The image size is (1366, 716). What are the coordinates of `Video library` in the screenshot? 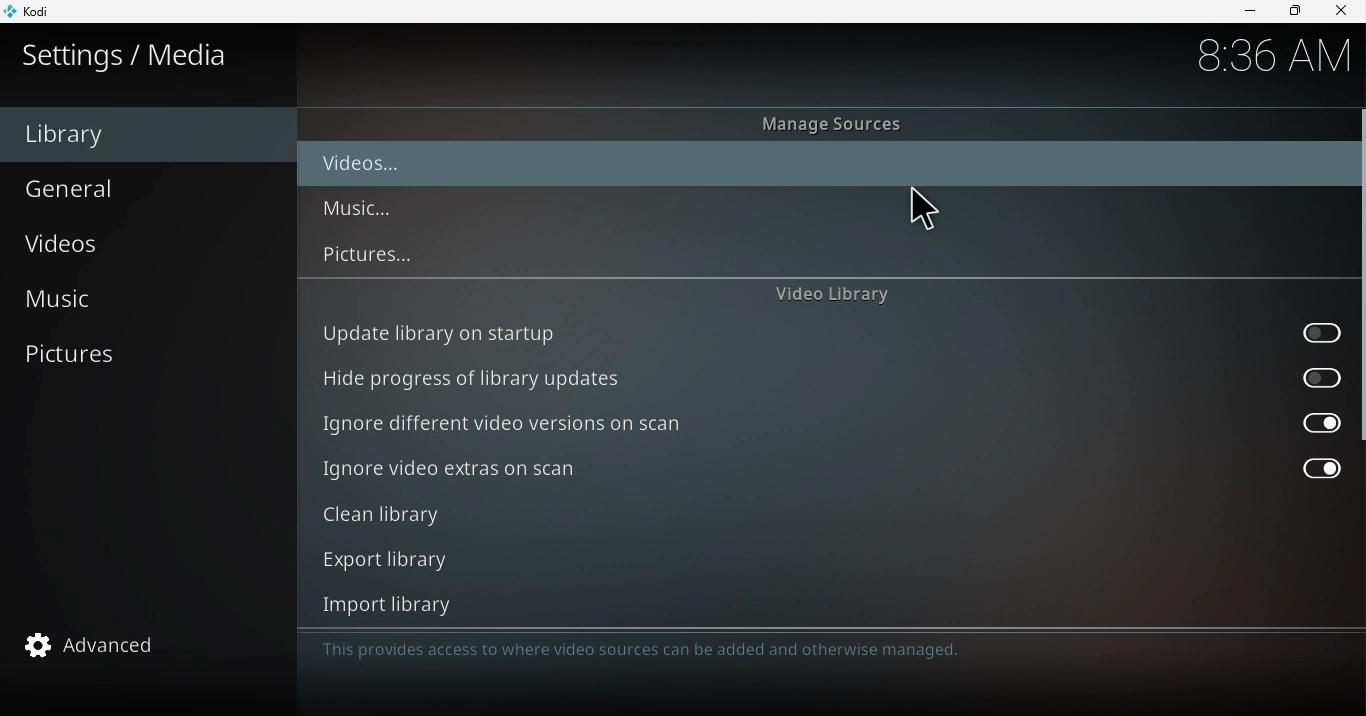 It's located at (832, 295).